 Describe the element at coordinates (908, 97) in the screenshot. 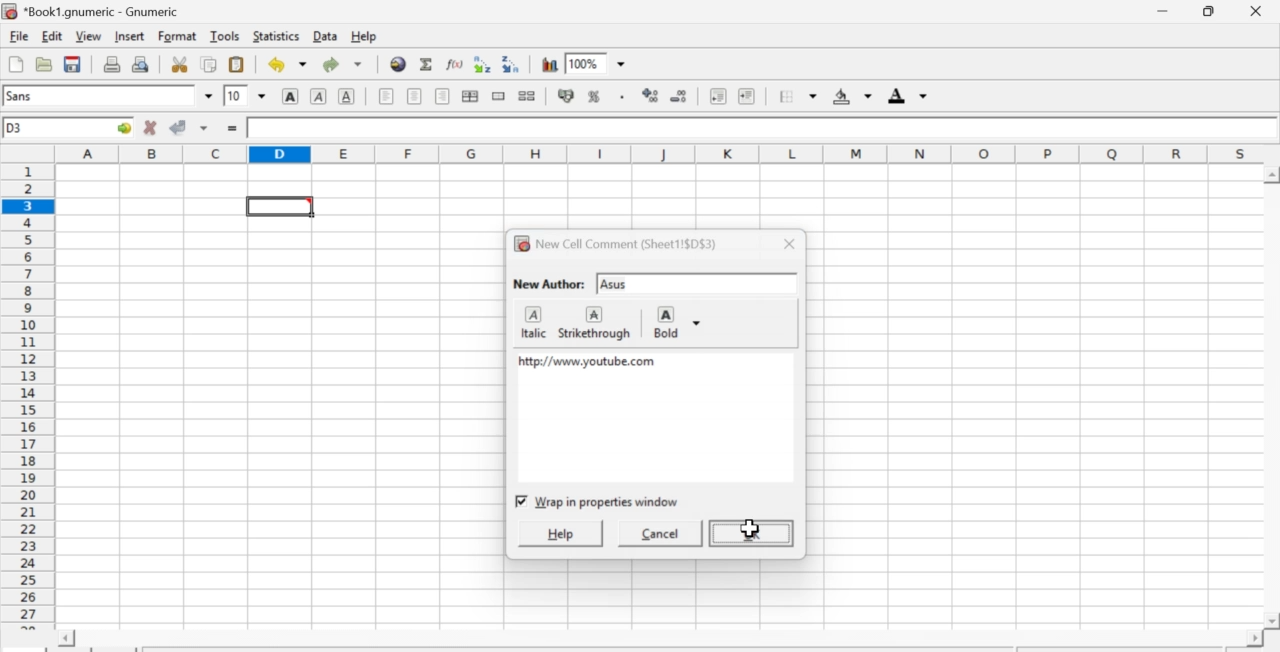

I see `Foreground` at that location.